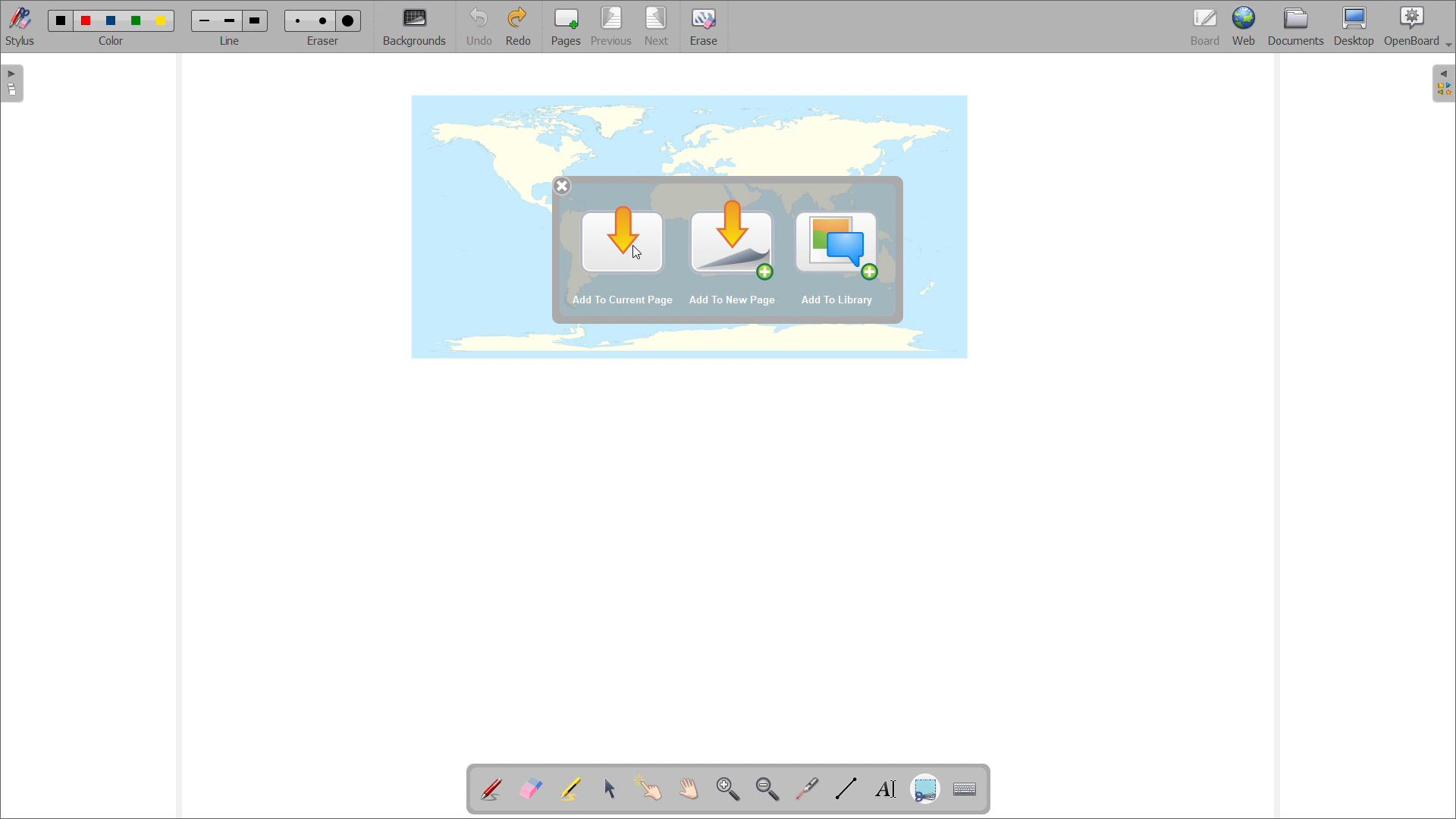 The width and height of the screenshot is (1456, 819). I want to click on desktop, so click(1354, 26).